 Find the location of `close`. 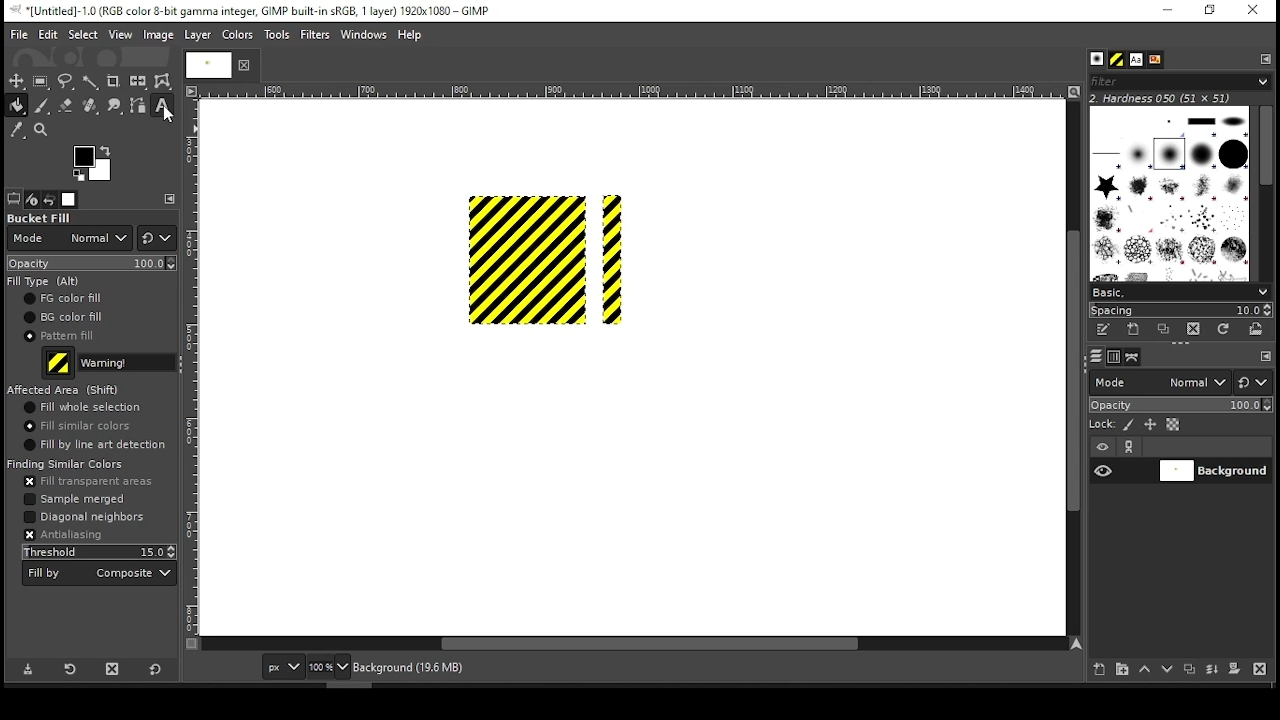

close is located at coordinates (242, 65).